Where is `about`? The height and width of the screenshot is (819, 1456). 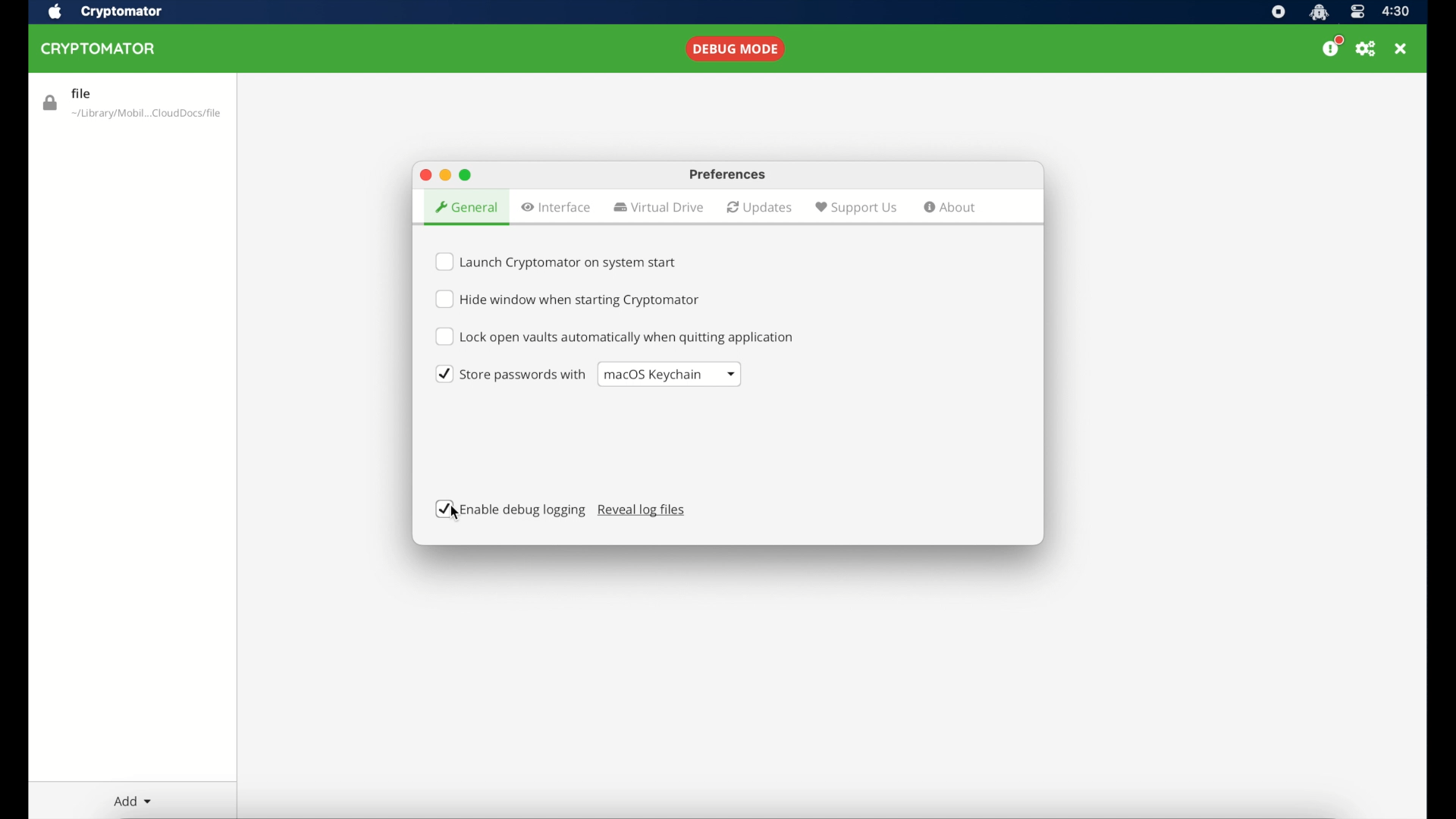
about is located at coordinates (951, 209).